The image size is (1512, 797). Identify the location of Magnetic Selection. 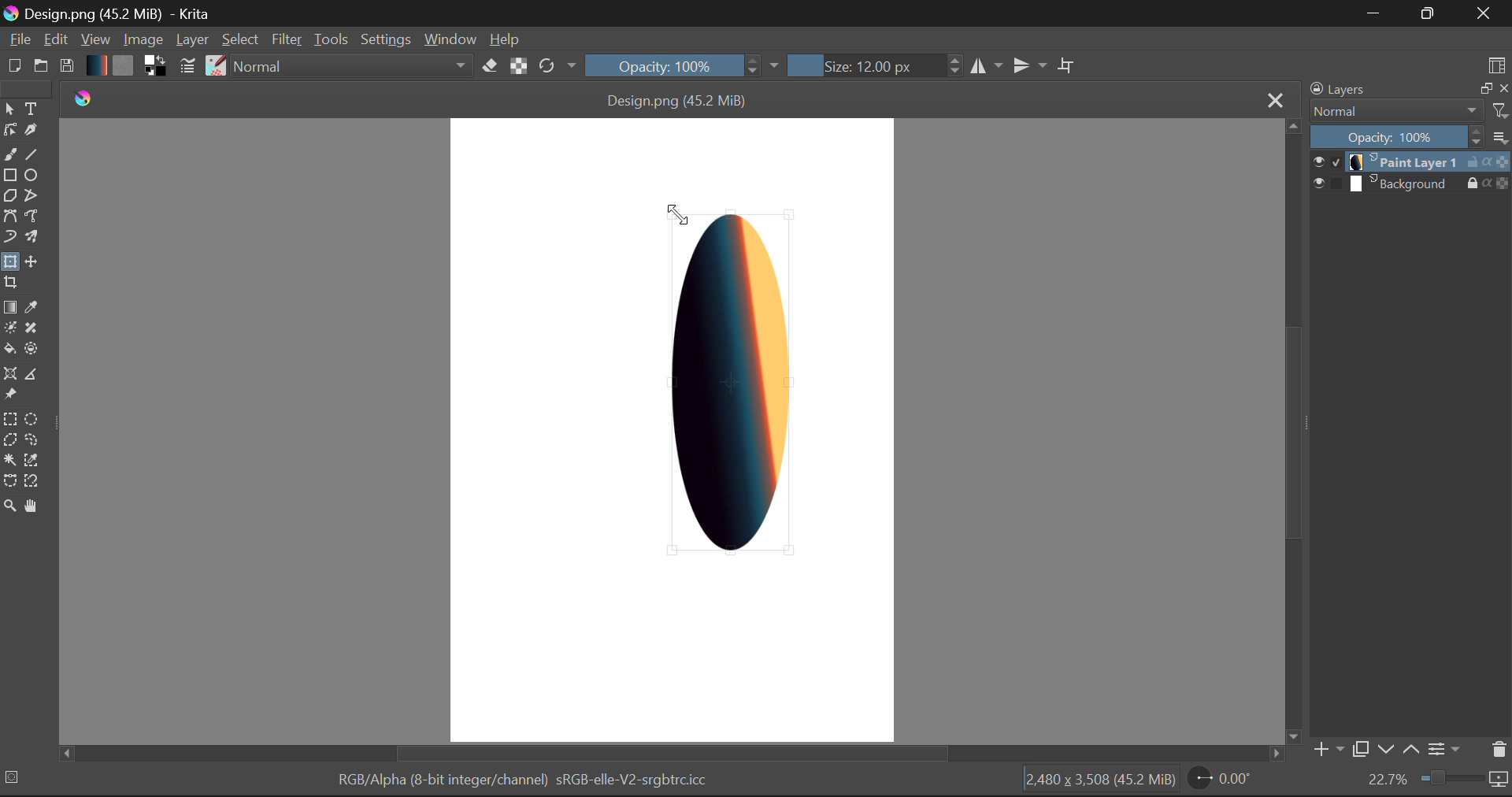
(32, 483).